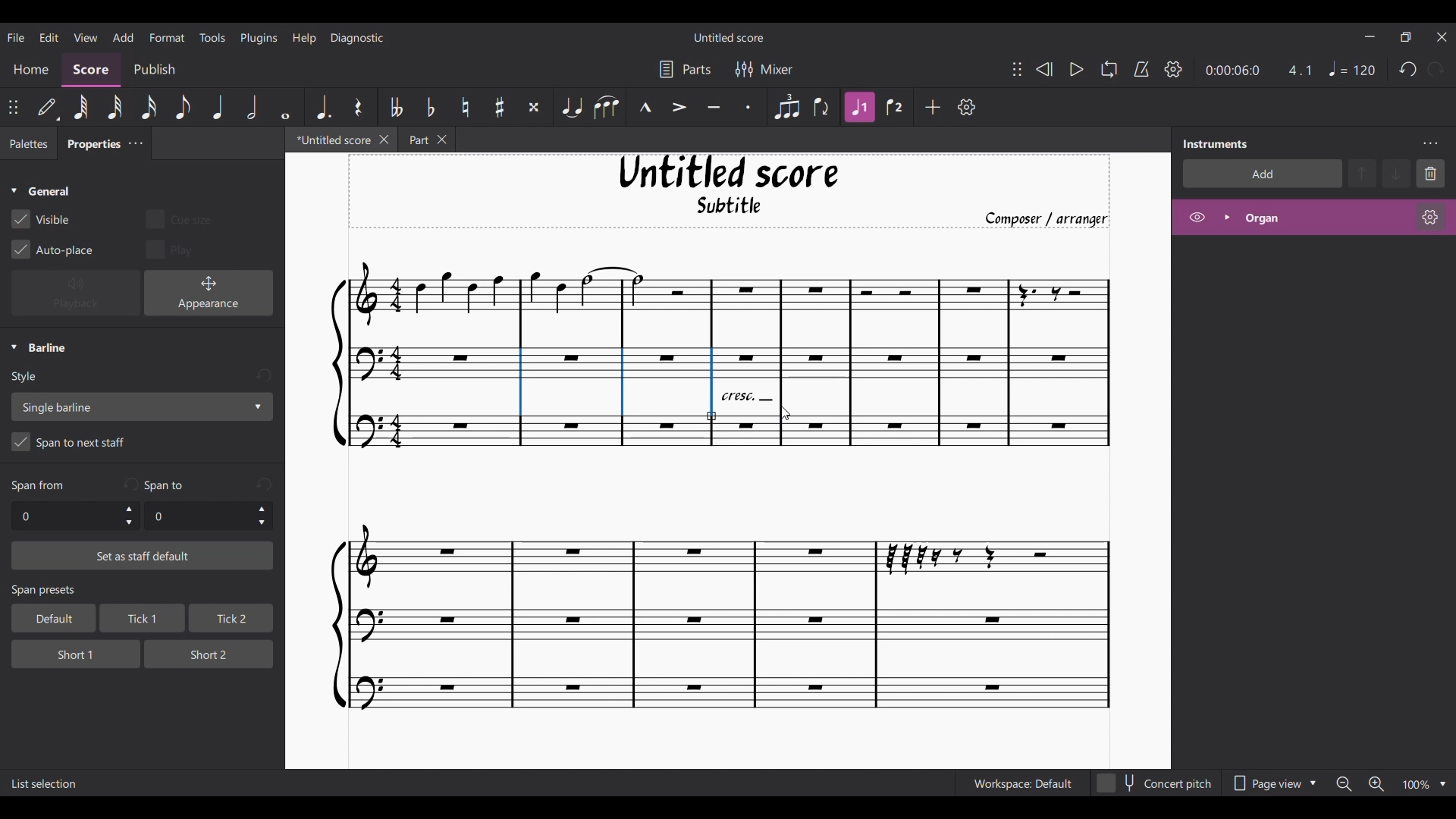 This screenshot has width=1456, height=819. Describe the element at coordinates (49, 36) in the screenshot. I see `Edit menu` at that location.